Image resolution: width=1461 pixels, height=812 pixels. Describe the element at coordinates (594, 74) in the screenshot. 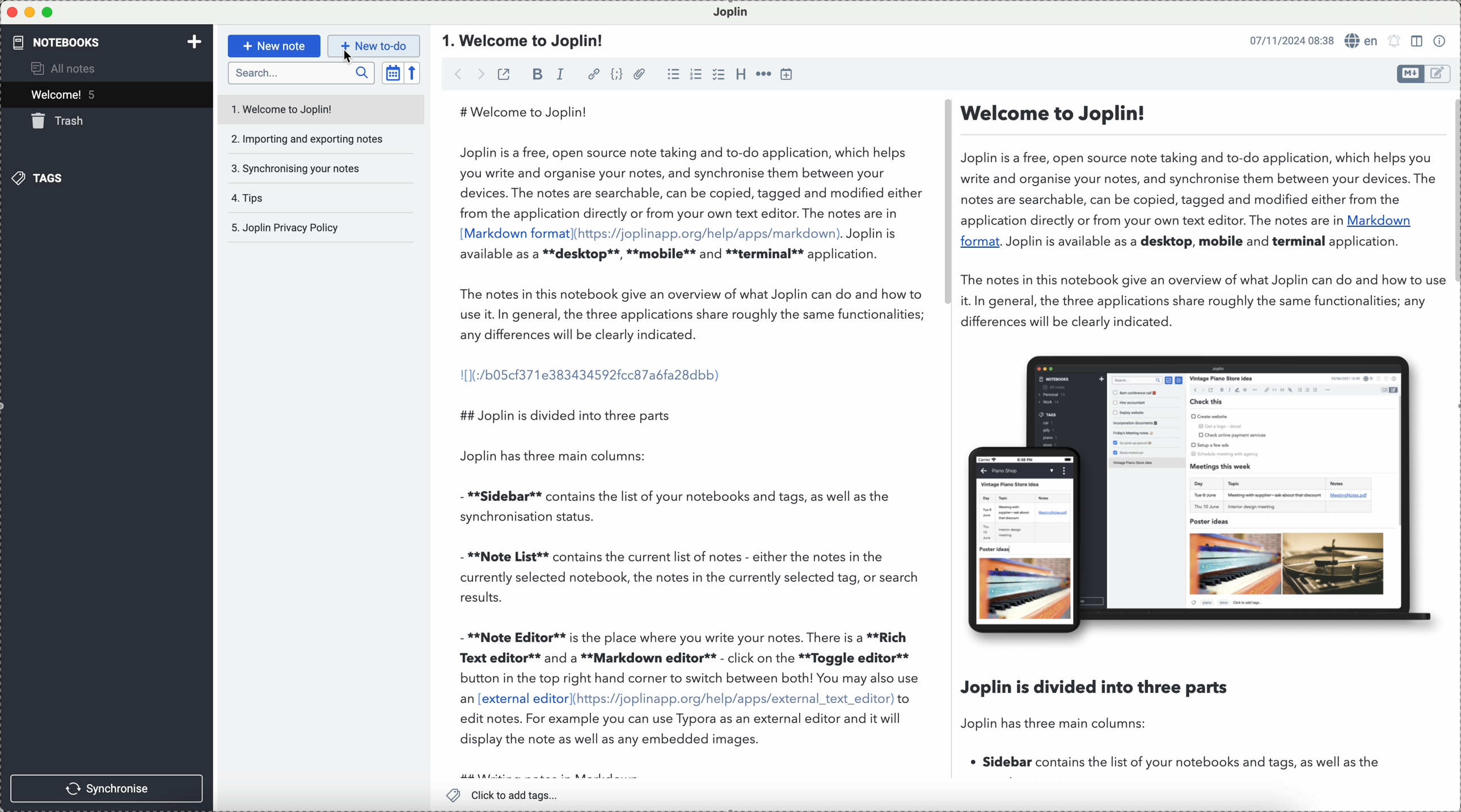

I see `hyperlink` at that location.